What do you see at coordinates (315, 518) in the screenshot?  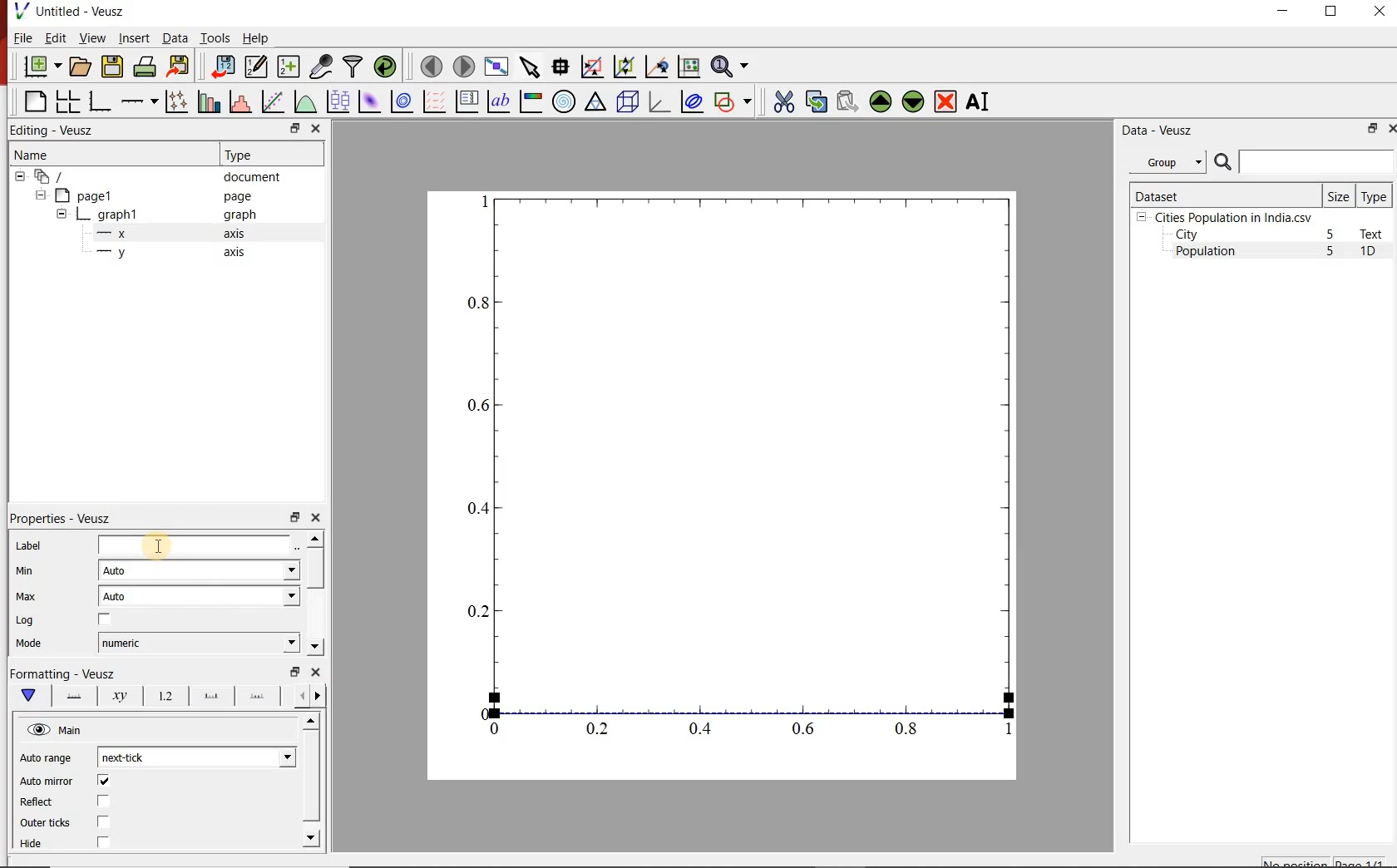 I see `close` at bounding box center [315, 518].